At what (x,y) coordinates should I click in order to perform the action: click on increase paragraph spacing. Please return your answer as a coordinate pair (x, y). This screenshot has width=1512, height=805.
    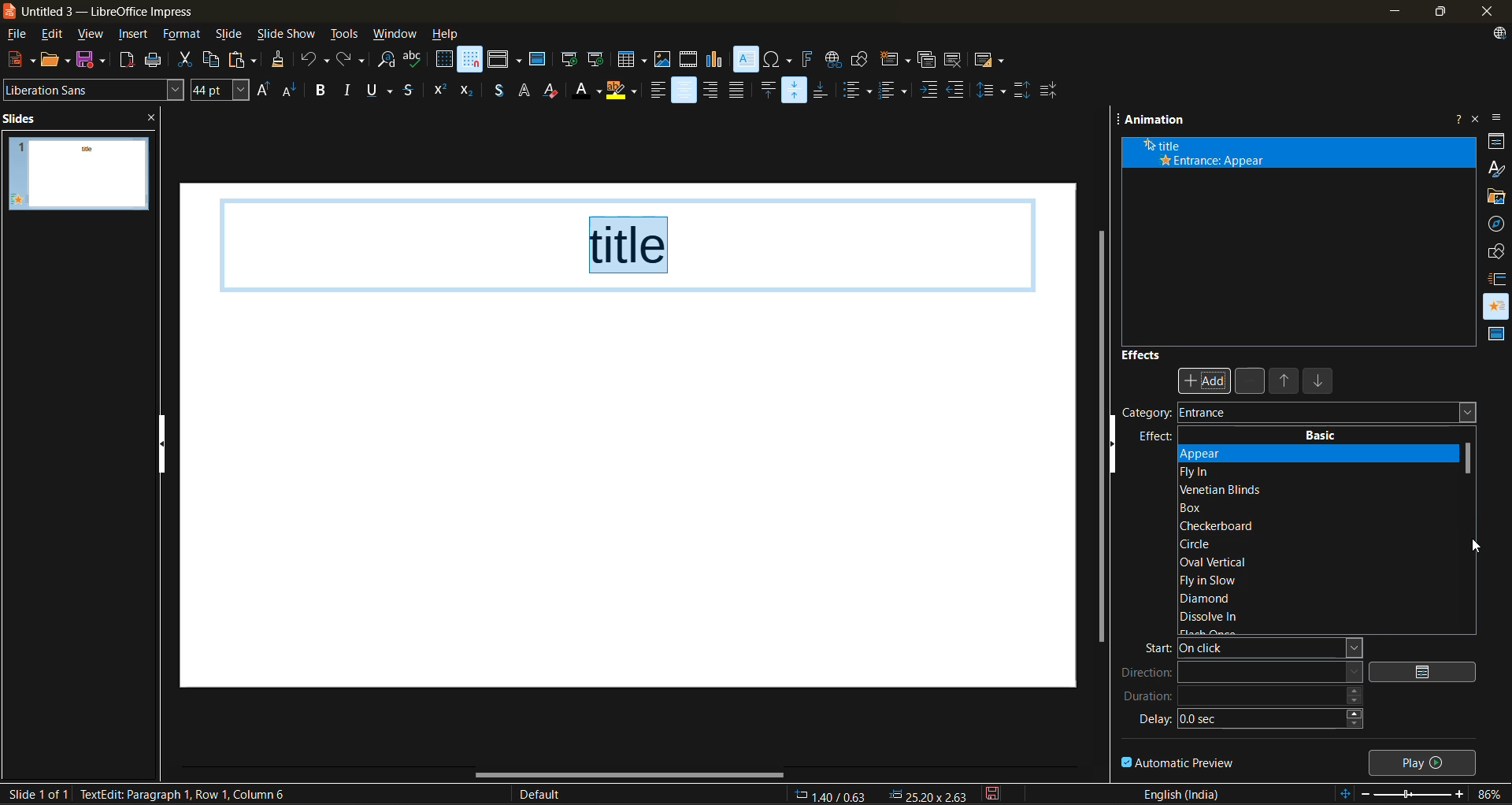
    Looking at the image, I should click on (1021, 91).